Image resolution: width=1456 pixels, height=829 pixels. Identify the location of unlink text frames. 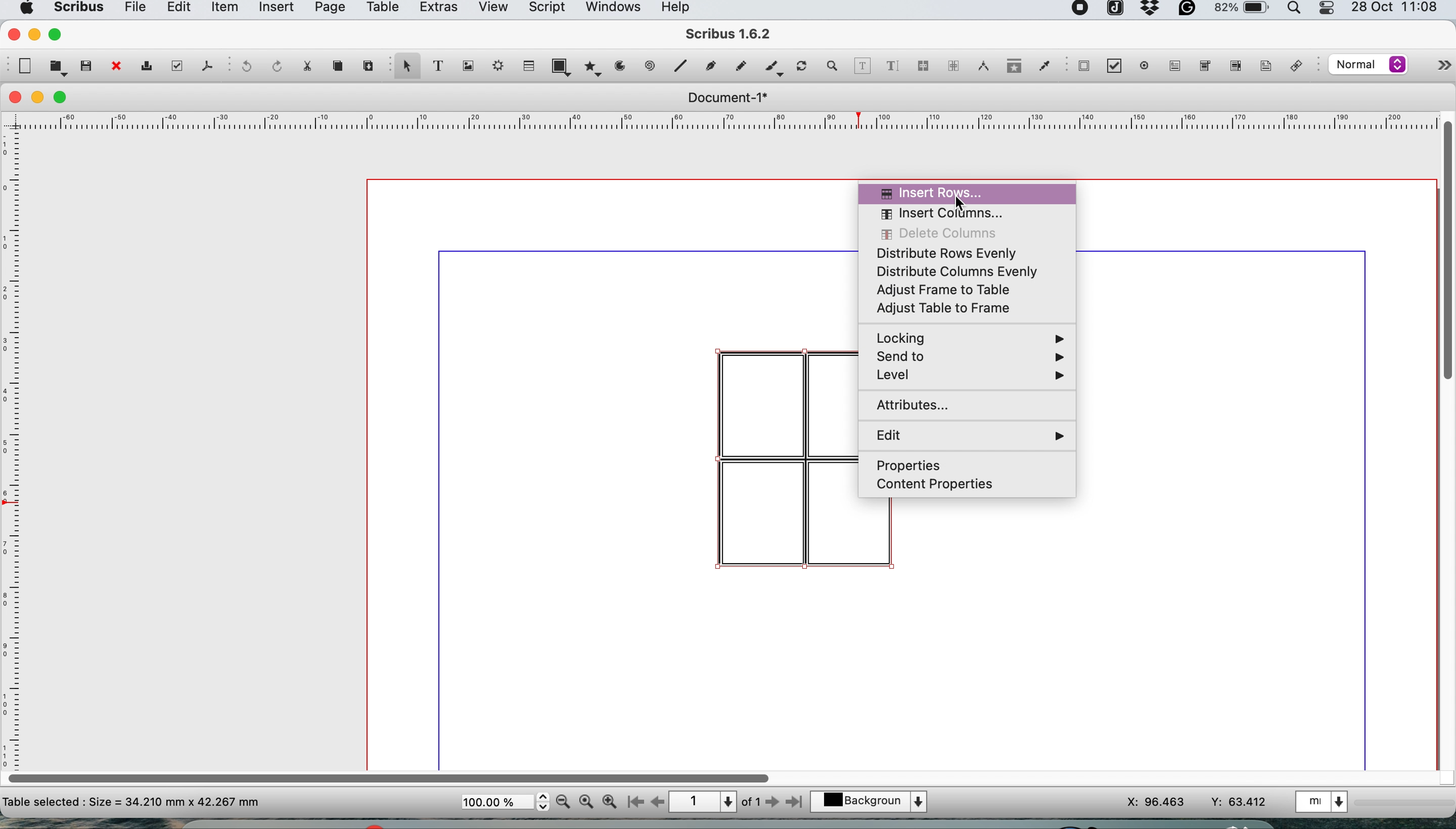
(953, 69).